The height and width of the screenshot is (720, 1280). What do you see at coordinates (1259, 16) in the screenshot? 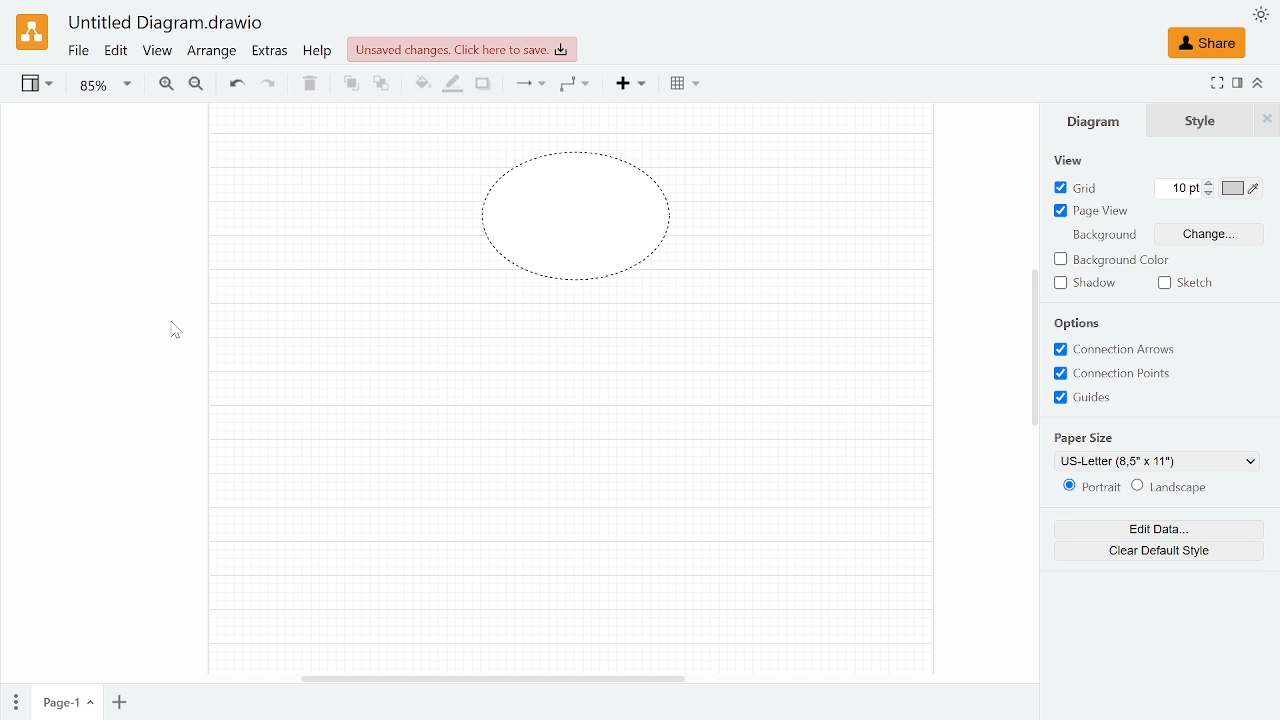
I see `Appearence` at bounding box center [1259, 16].